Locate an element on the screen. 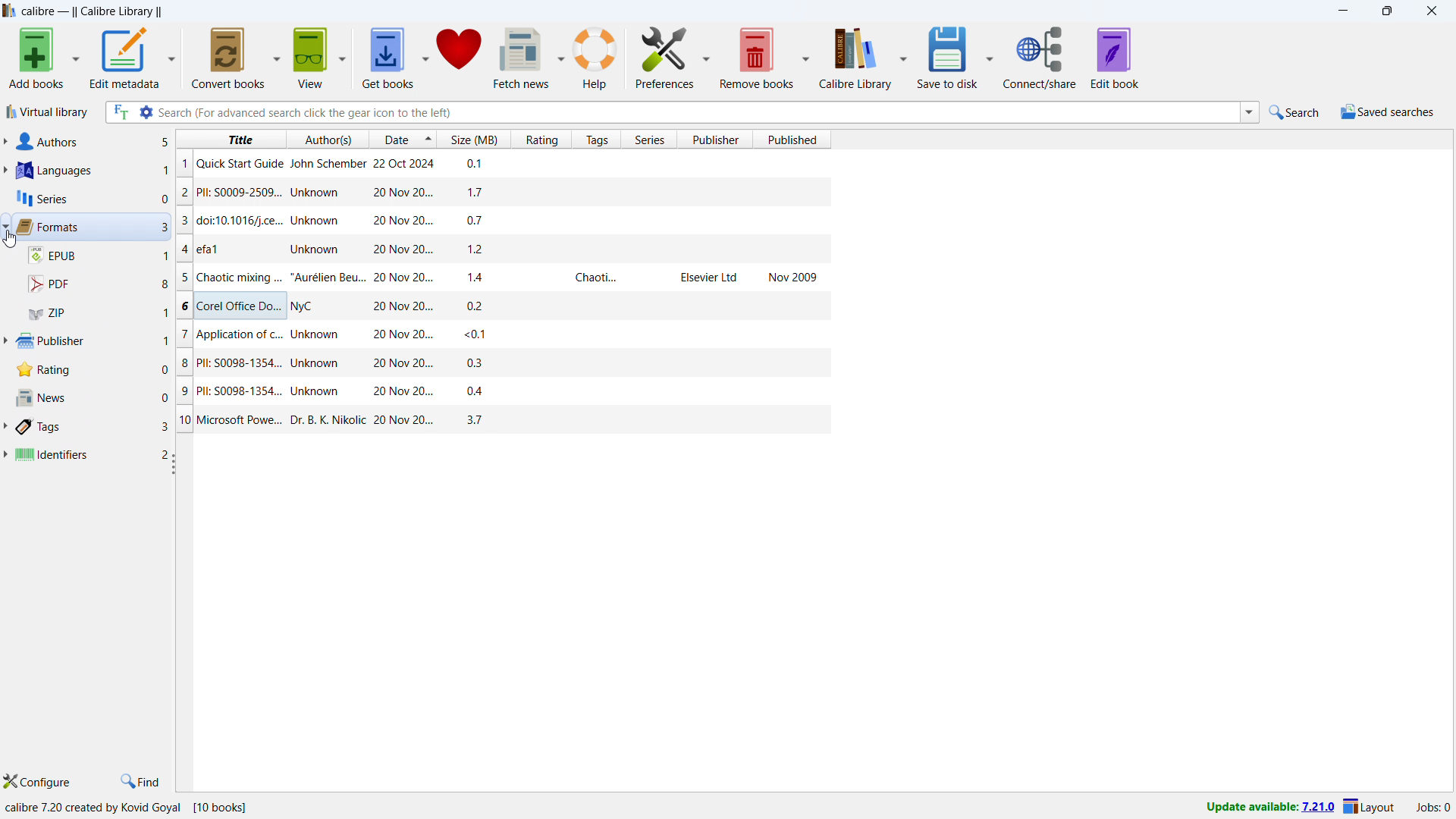  expand formats is located at coordinates (5, 225).